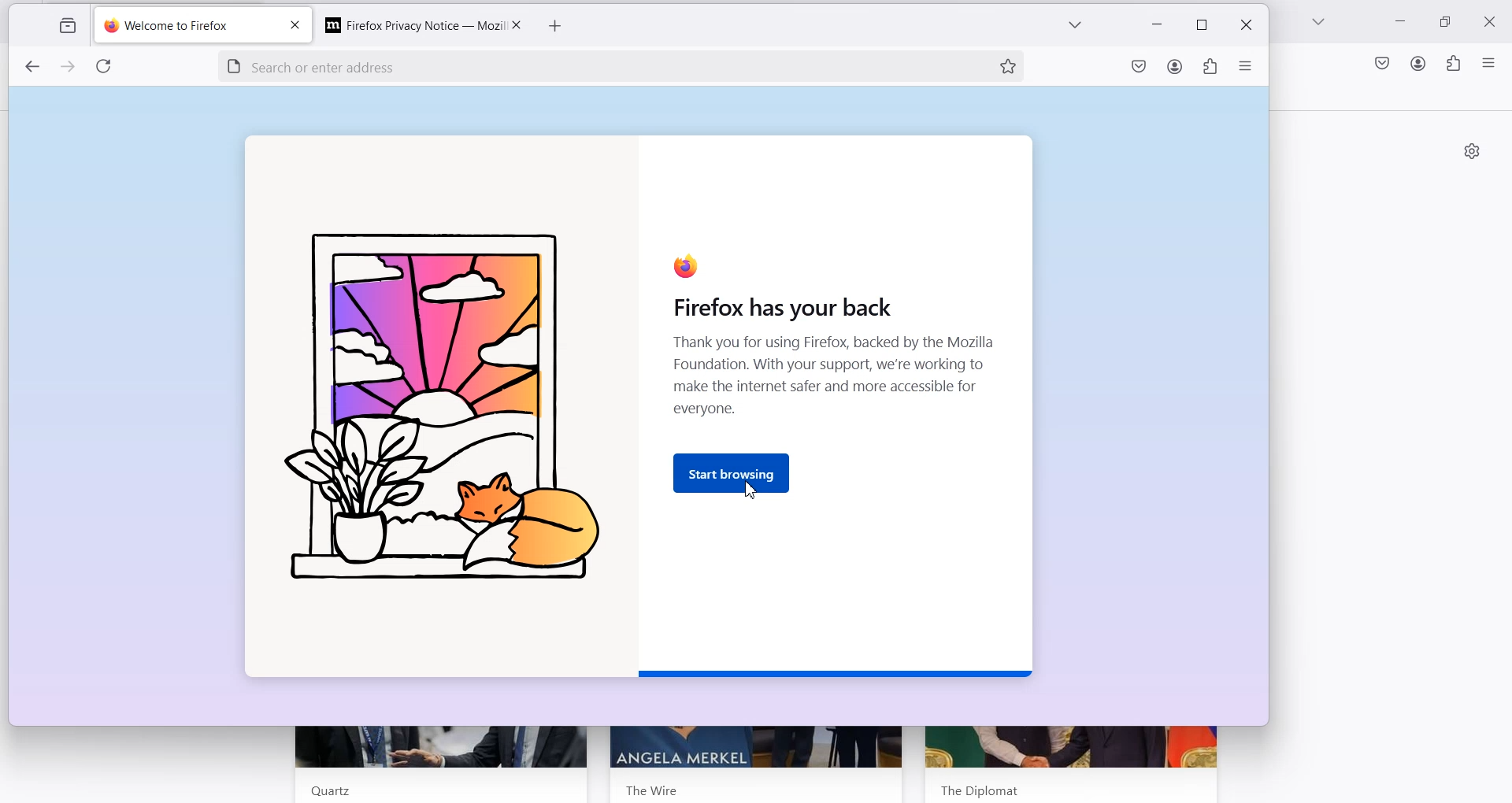  Describe the element at coordinates (1453, 64) in the screenshot. I see `Extensions` at that location.